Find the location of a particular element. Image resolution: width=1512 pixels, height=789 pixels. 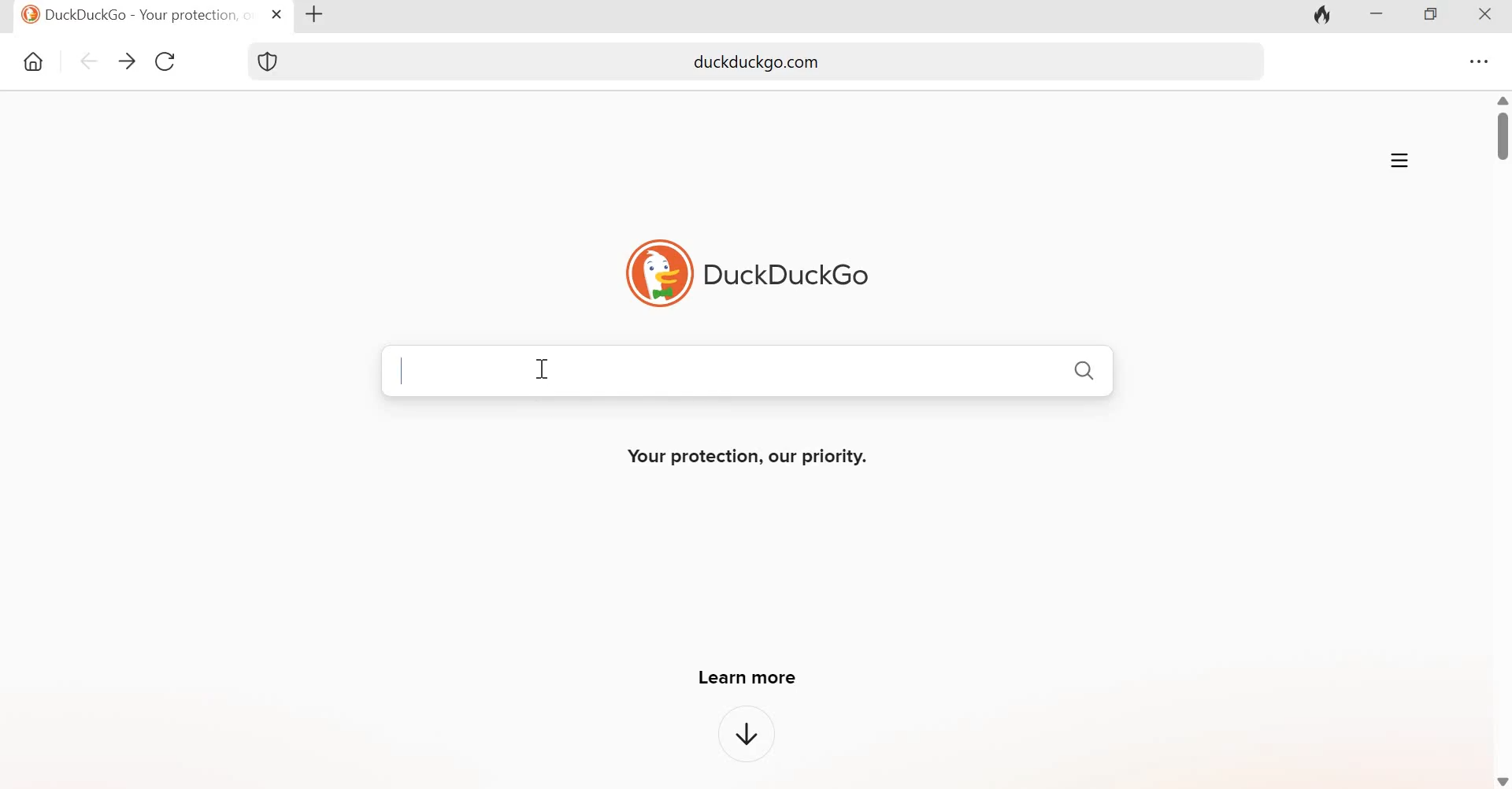

Minimize is located at coordinates (1381, 17).